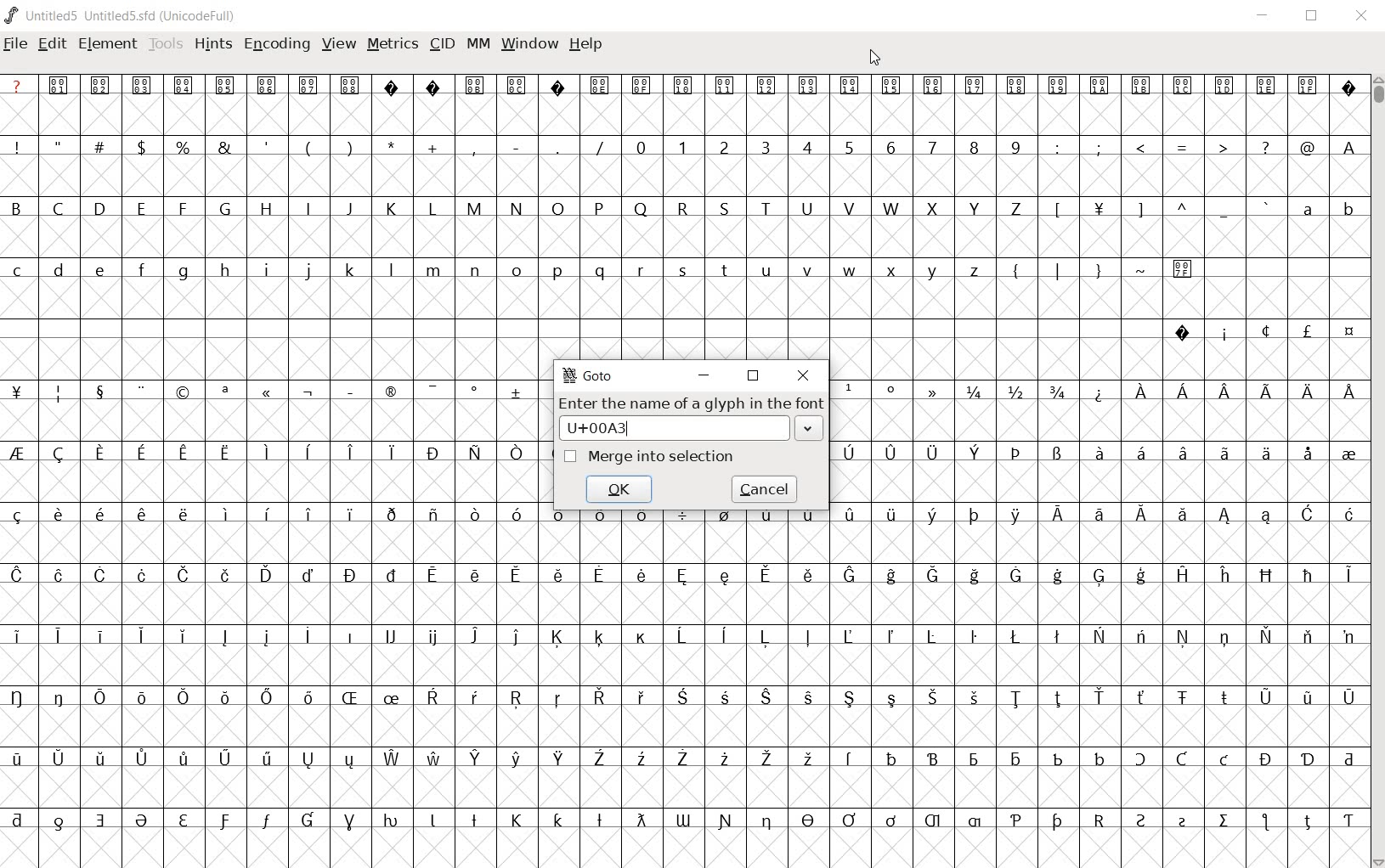 Image resolution: width=1385 pixels, height=868 pixels. What do you see at coordinates (477, 758) in the screenshot?
I see `Symbol` at bounding box center [477, 758].